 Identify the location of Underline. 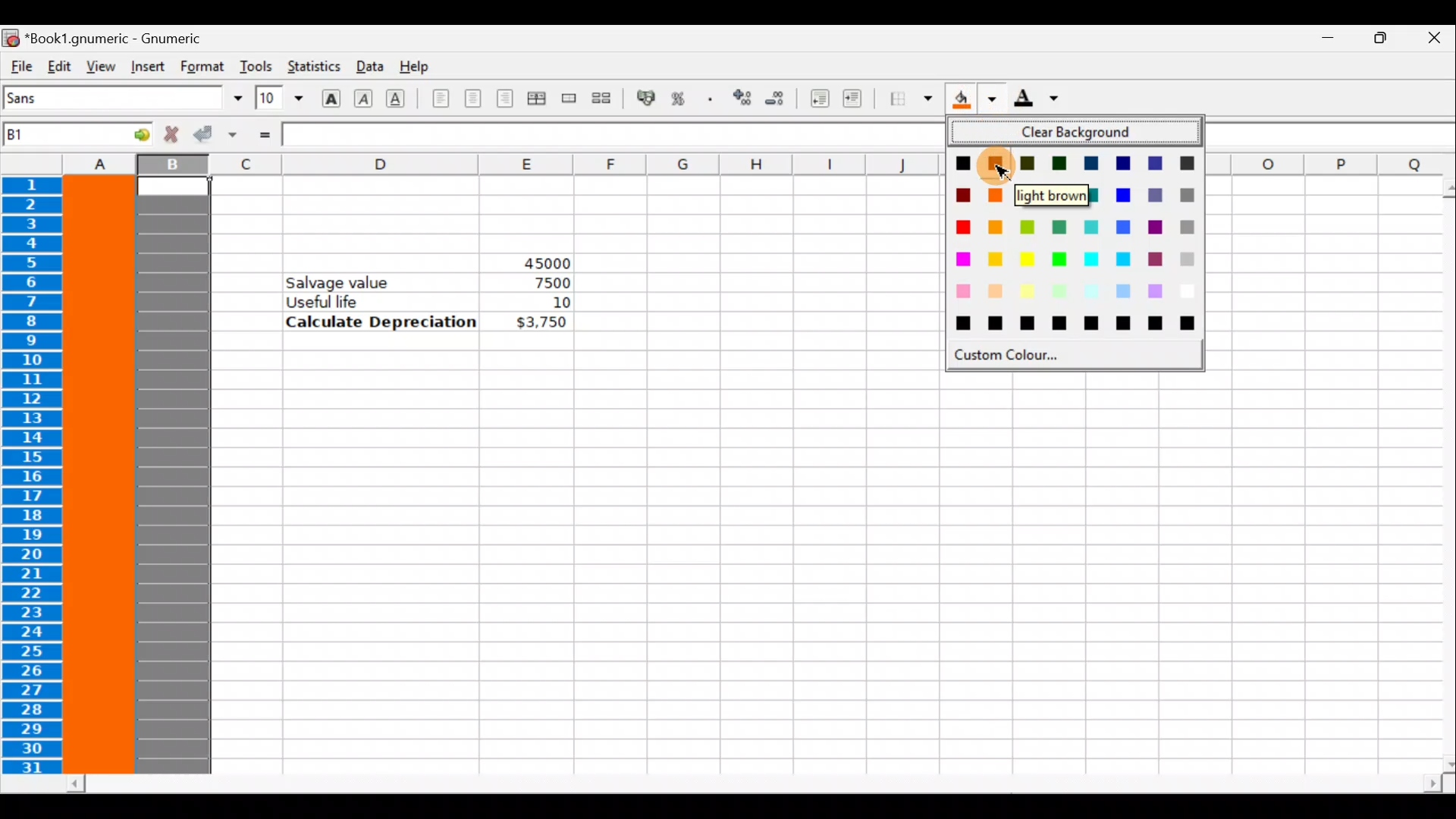
(402, 99).